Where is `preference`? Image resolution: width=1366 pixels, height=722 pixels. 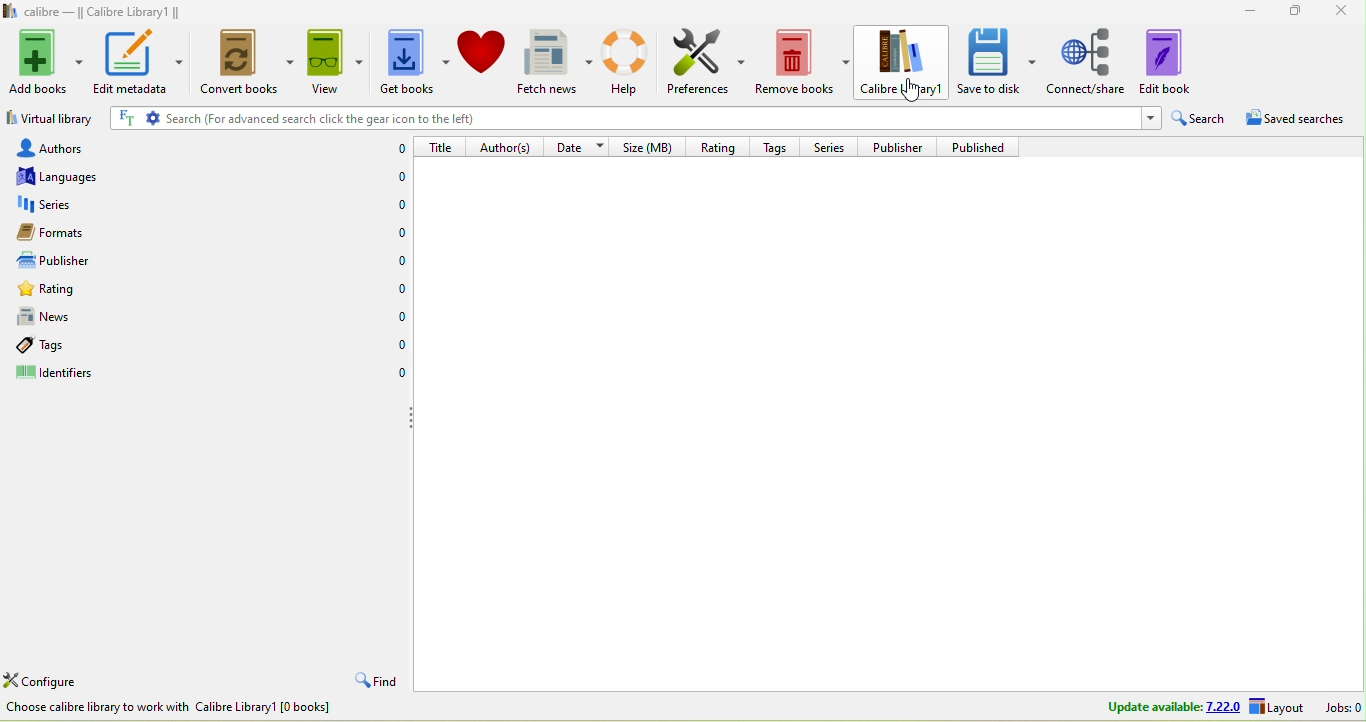 preference is located at coordinates (707, 63).